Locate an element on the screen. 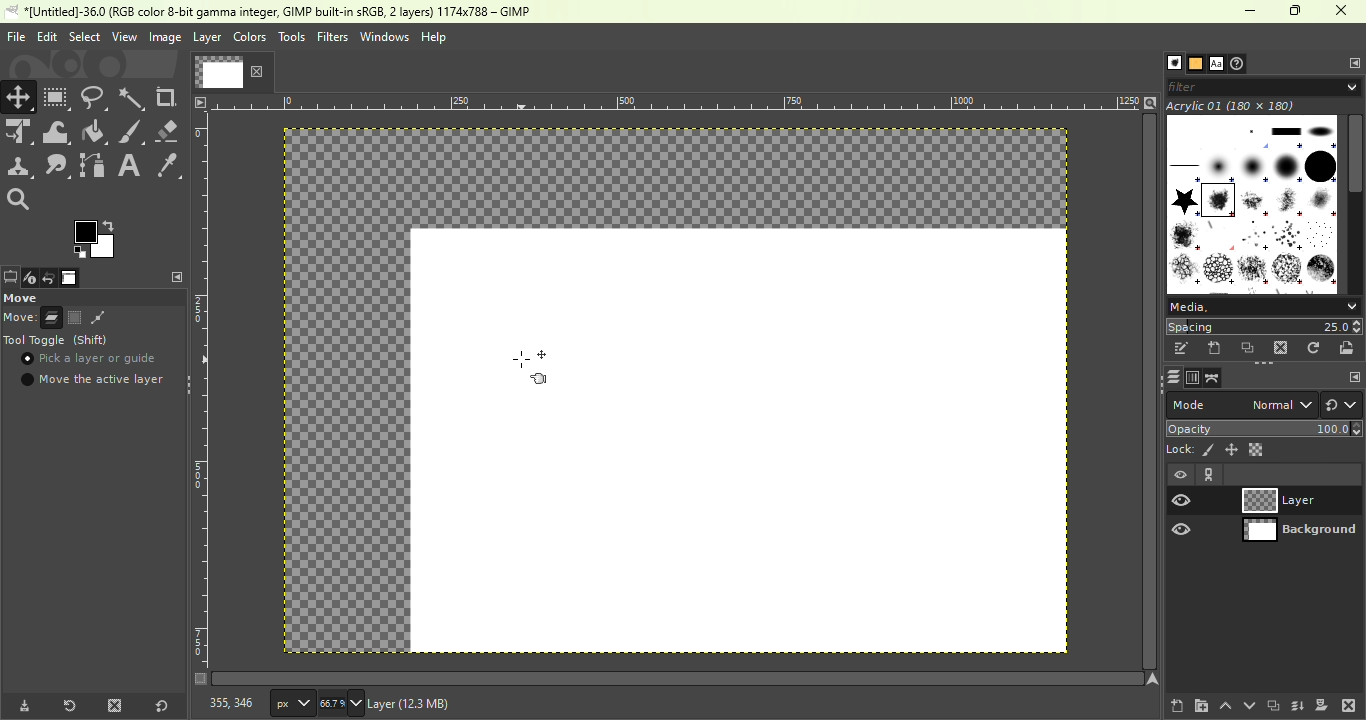  Navigate is located at coordinates (1153, 679).